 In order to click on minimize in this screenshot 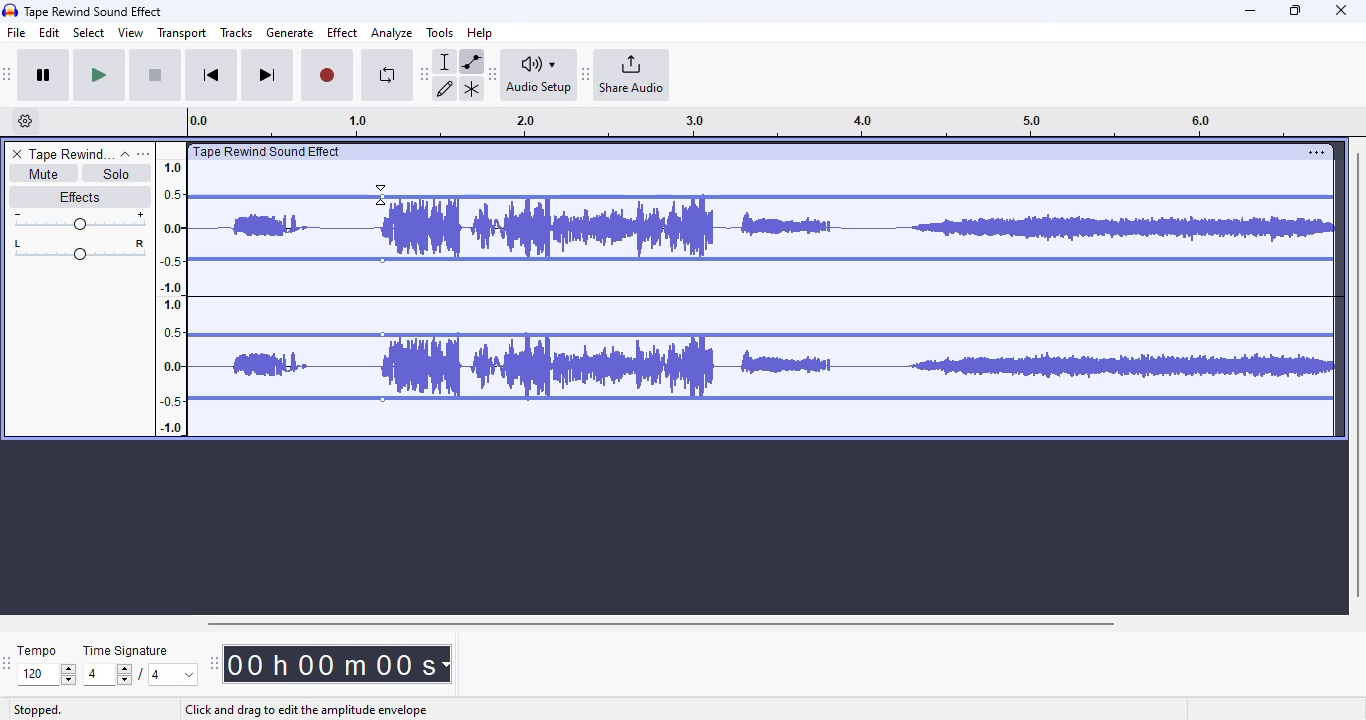, I will do `click(1250, 11)`.